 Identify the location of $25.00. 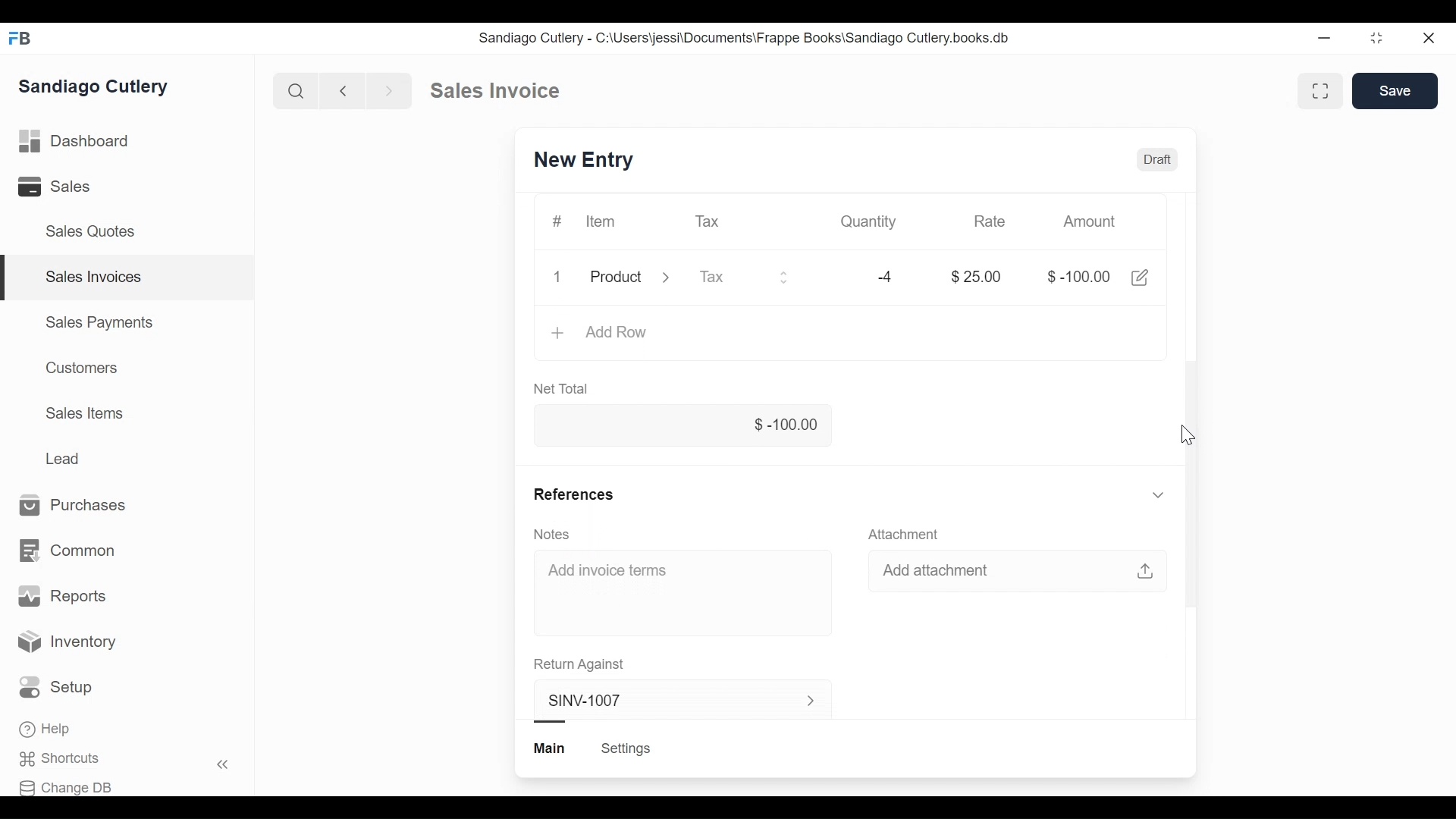
(977, 276).